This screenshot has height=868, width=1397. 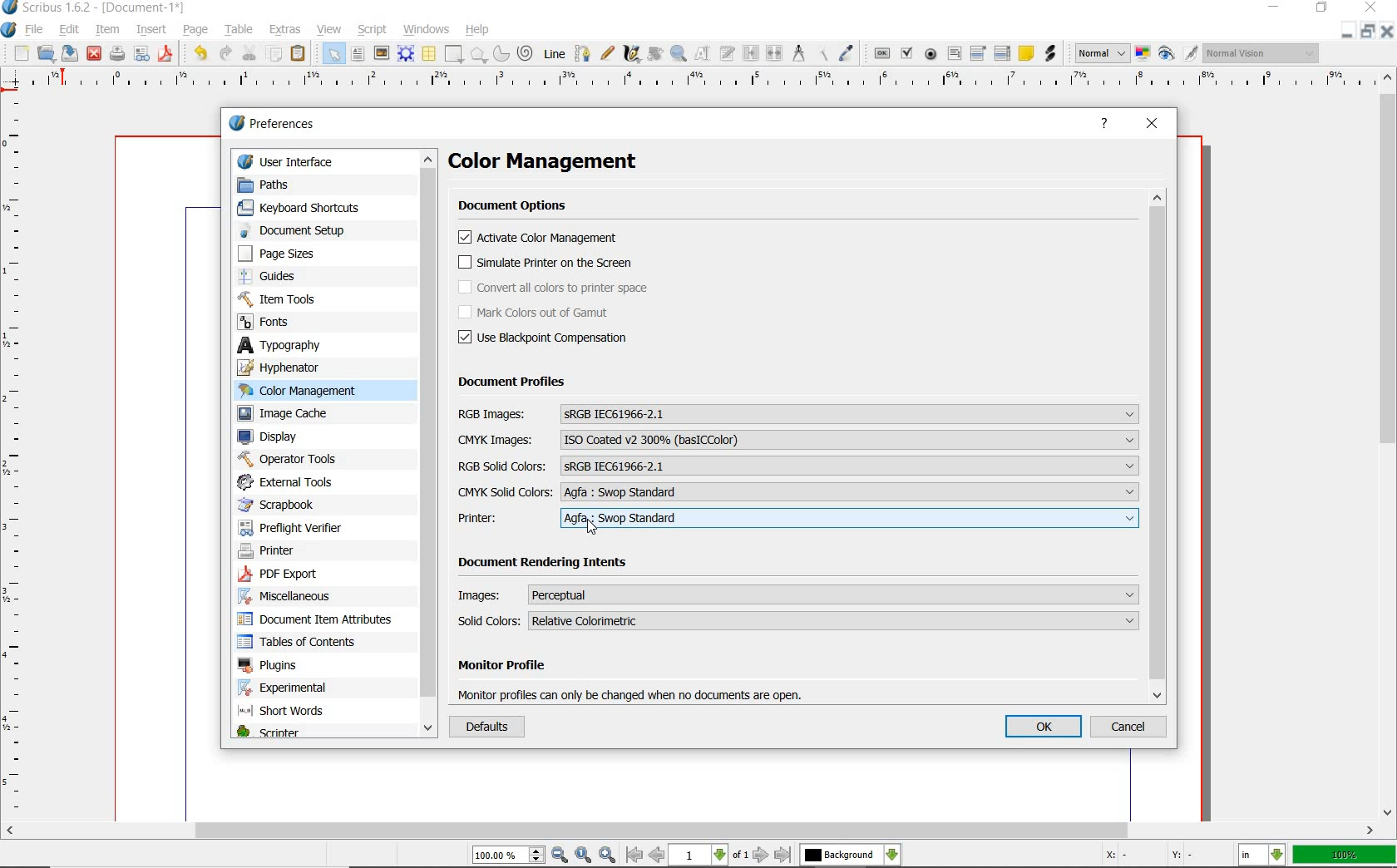 I want to click on pdf radio button, so click(x=931, y=55).